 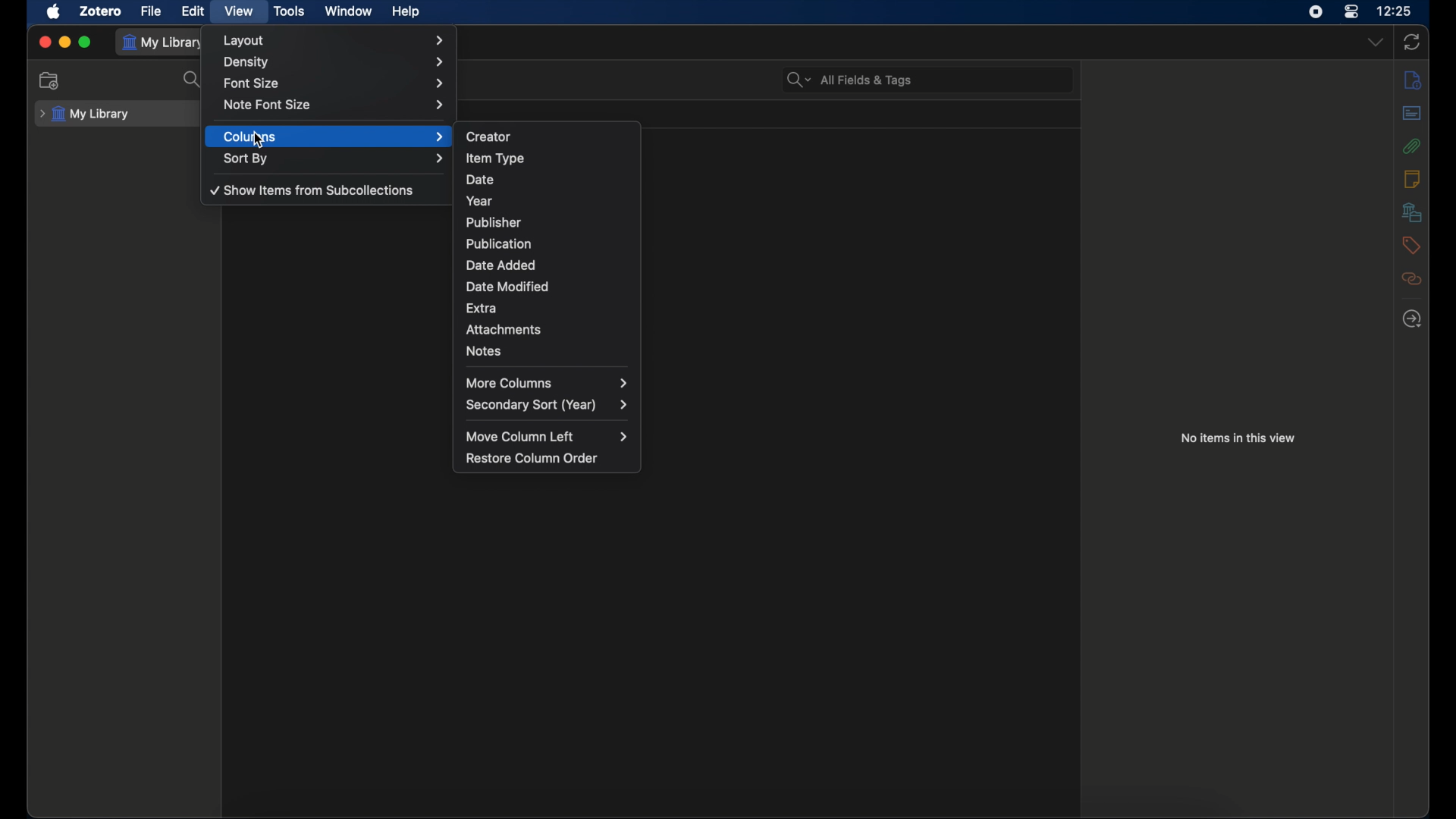 What do you see at coordinates (1395, 11) in the screenshot?
I see `time` at bounding box center [1395, 11].